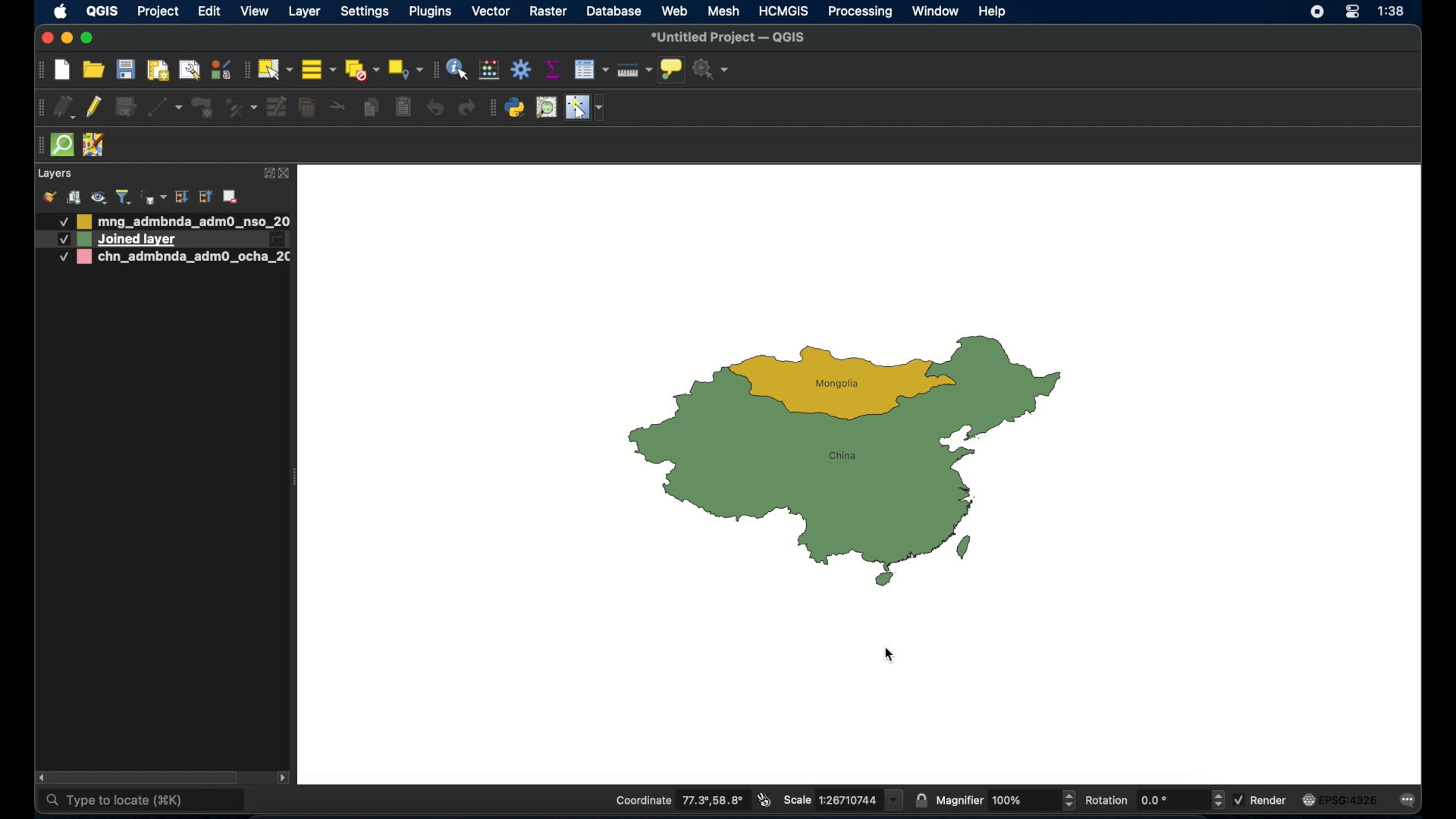  What do you see at coordinates (550, 12) in the screenshot?
I see `raster` at bounding box center [550, 12].